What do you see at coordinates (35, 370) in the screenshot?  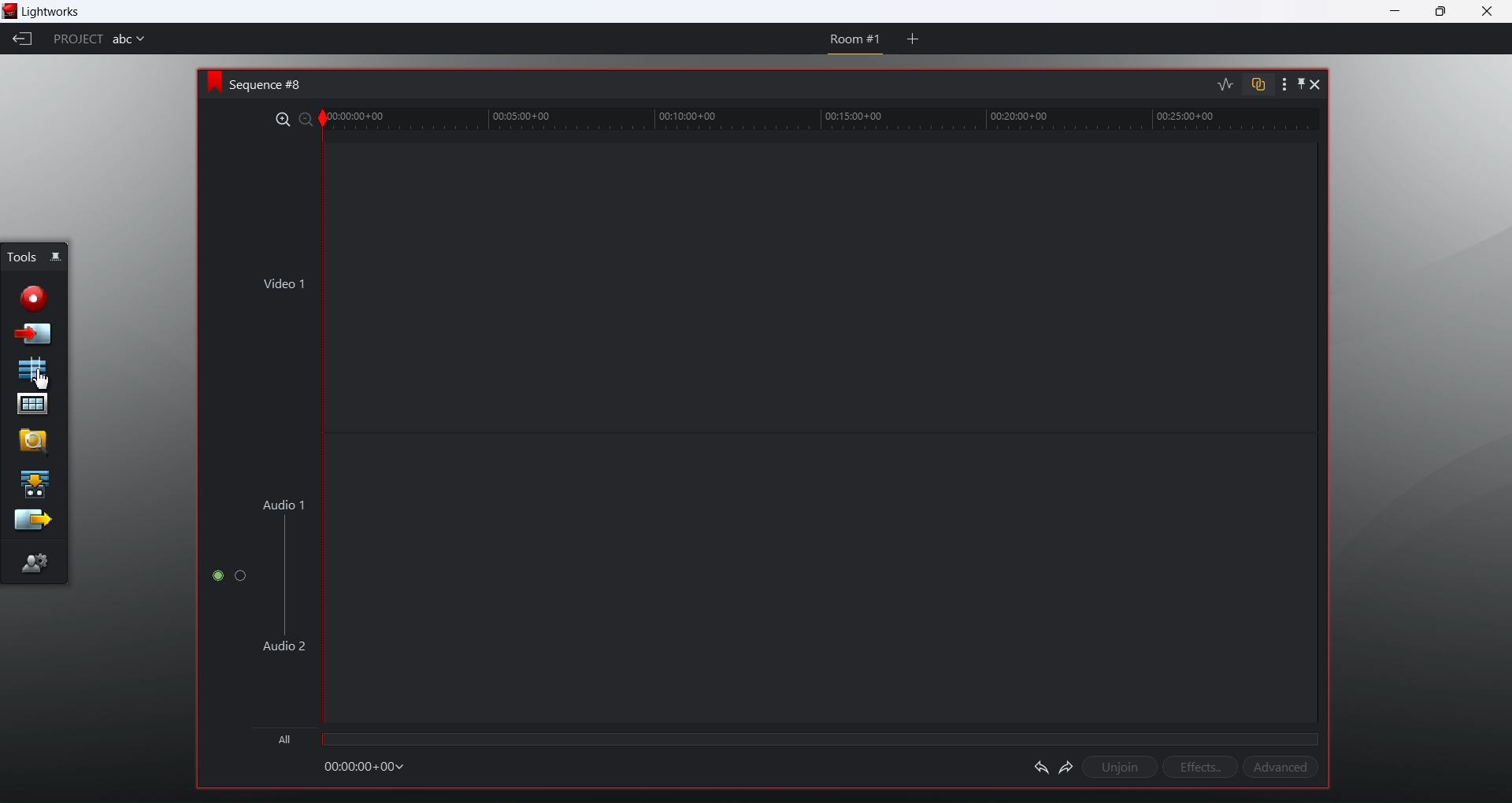 I see `new sequence` at bounding box center [35, 370].